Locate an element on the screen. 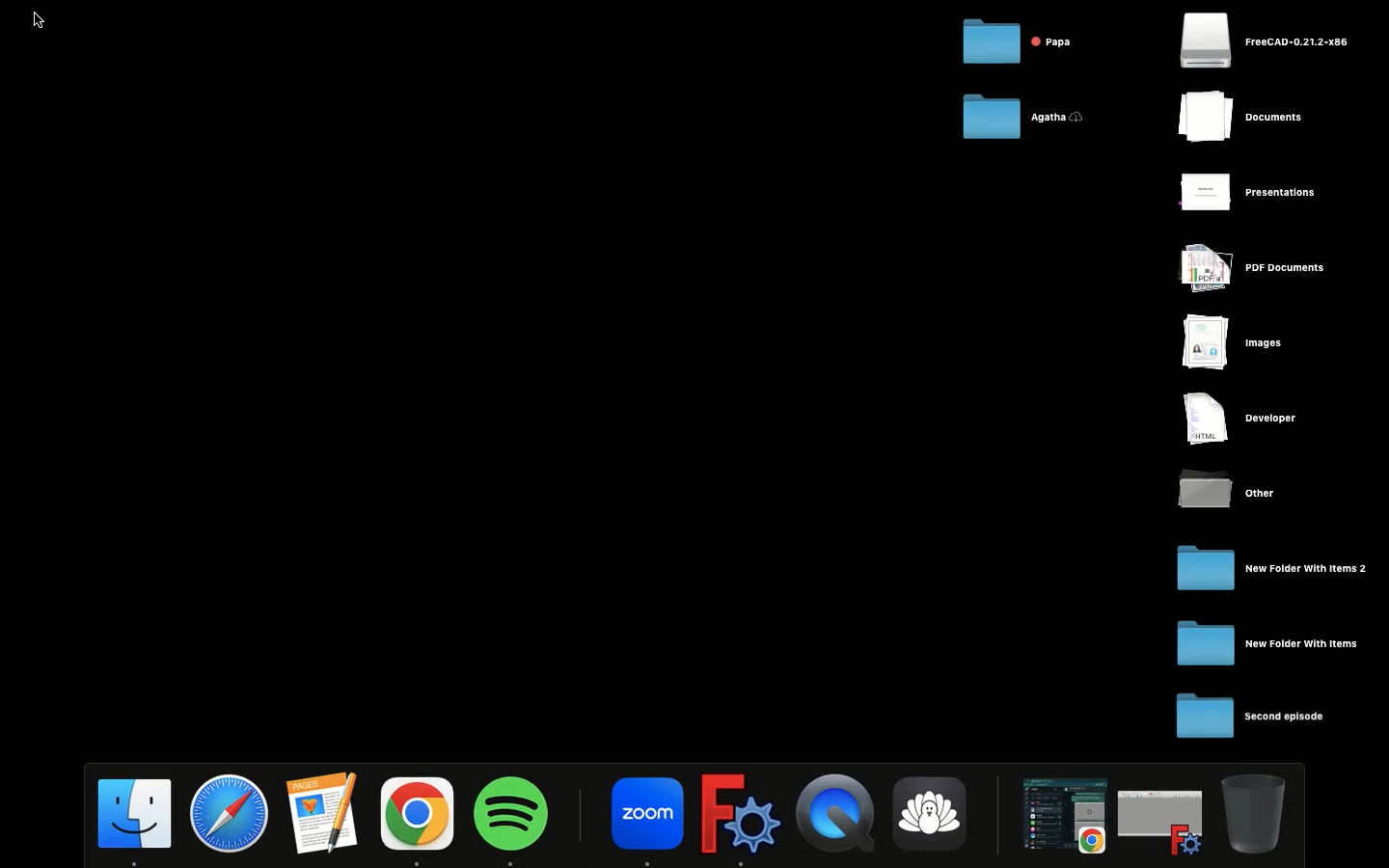 The height and width of the screenshot is (868, 1389). Chrome is located at coordinates (420, 817).